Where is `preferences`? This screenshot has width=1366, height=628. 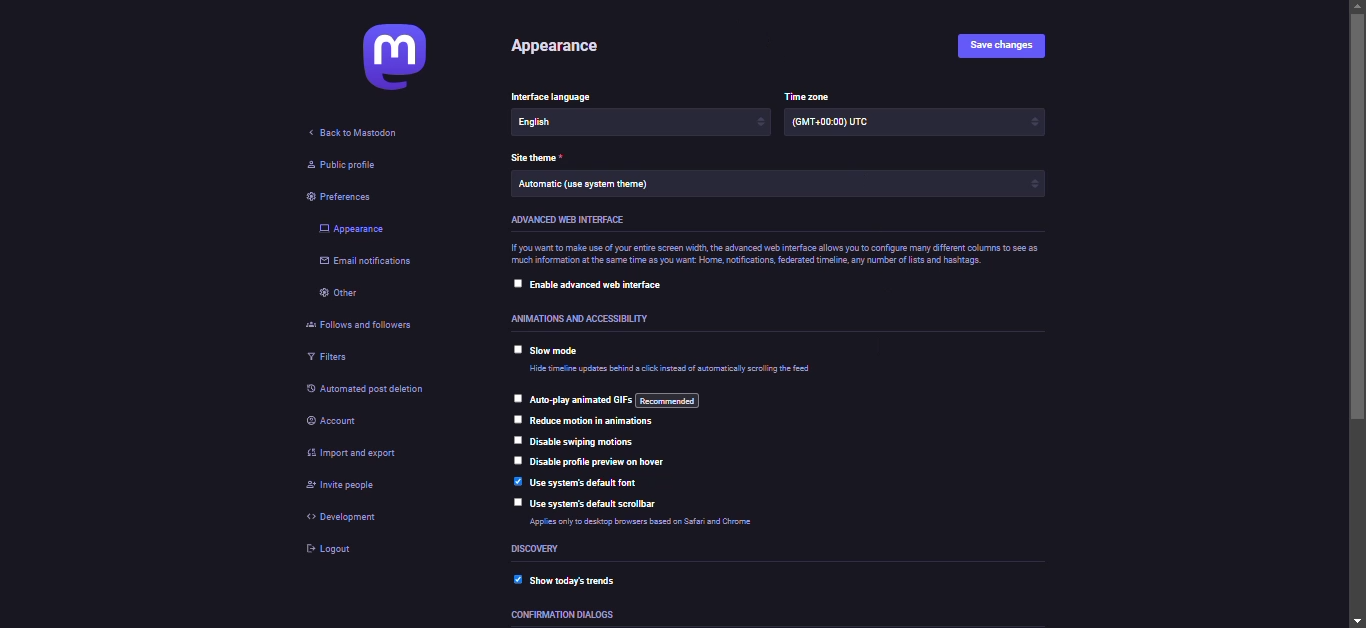
preferences is located at coordinates (339, 197).